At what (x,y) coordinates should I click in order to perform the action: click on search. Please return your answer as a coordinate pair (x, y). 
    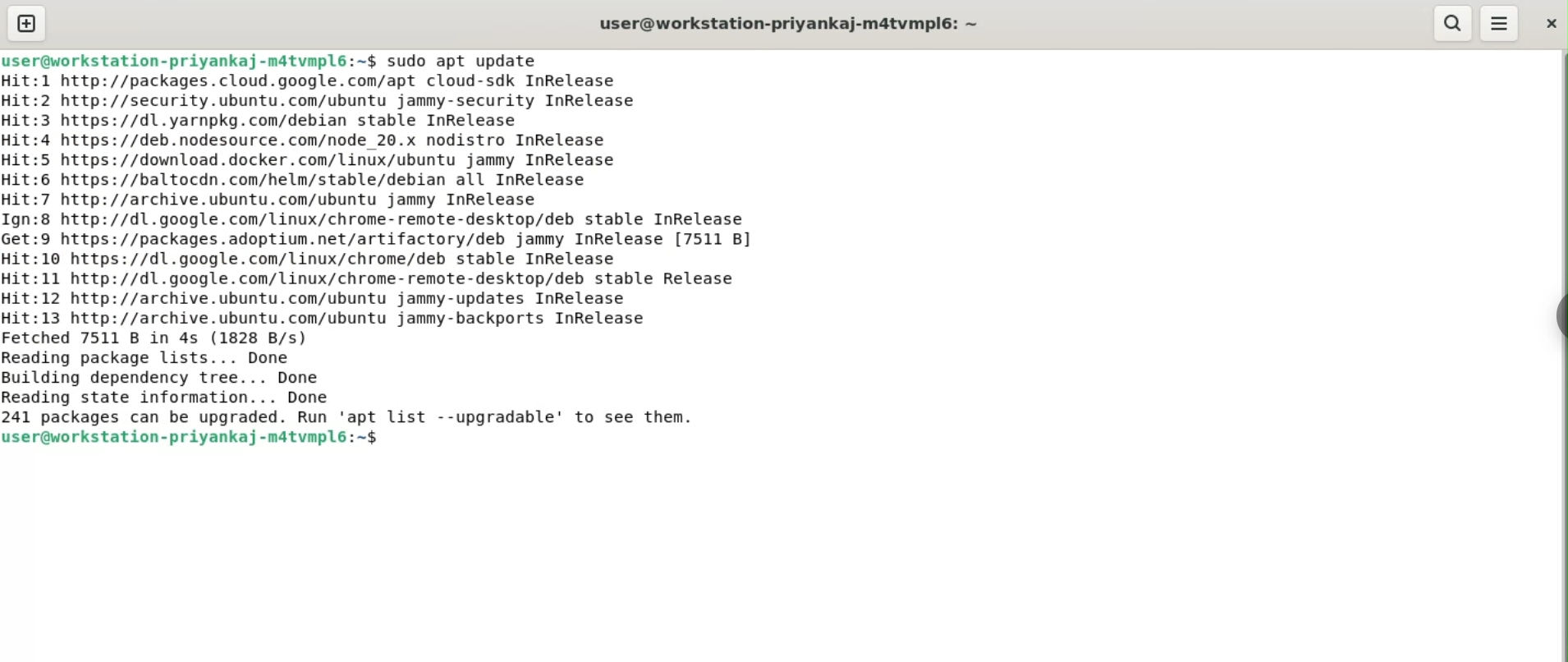
    Looking at the image, I should click on (1450, 23).